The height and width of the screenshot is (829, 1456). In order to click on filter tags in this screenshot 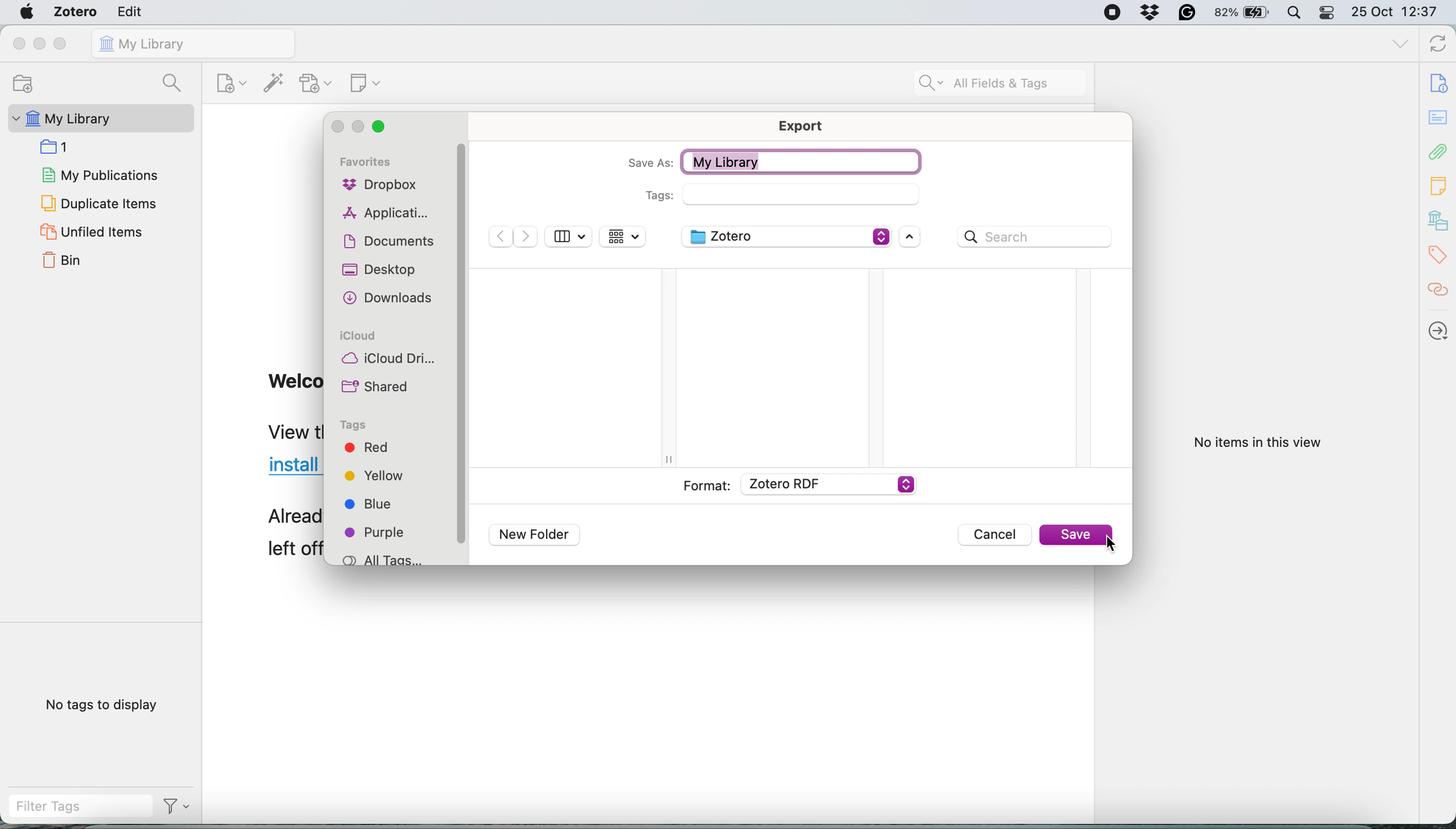, I will do `click(76, 808)`.